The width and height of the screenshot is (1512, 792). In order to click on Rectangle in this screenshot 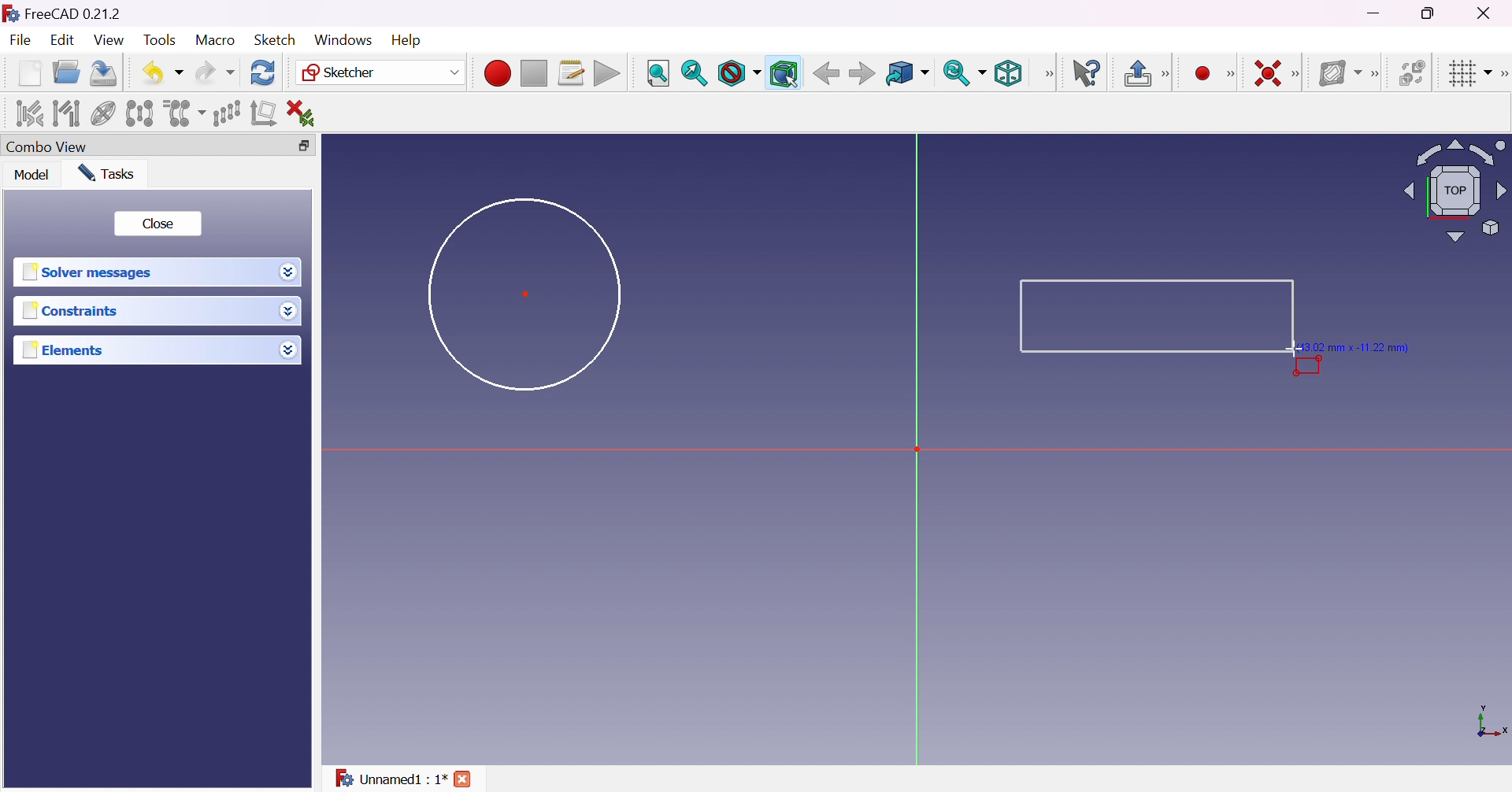, I will do `click(1157, 316)`.